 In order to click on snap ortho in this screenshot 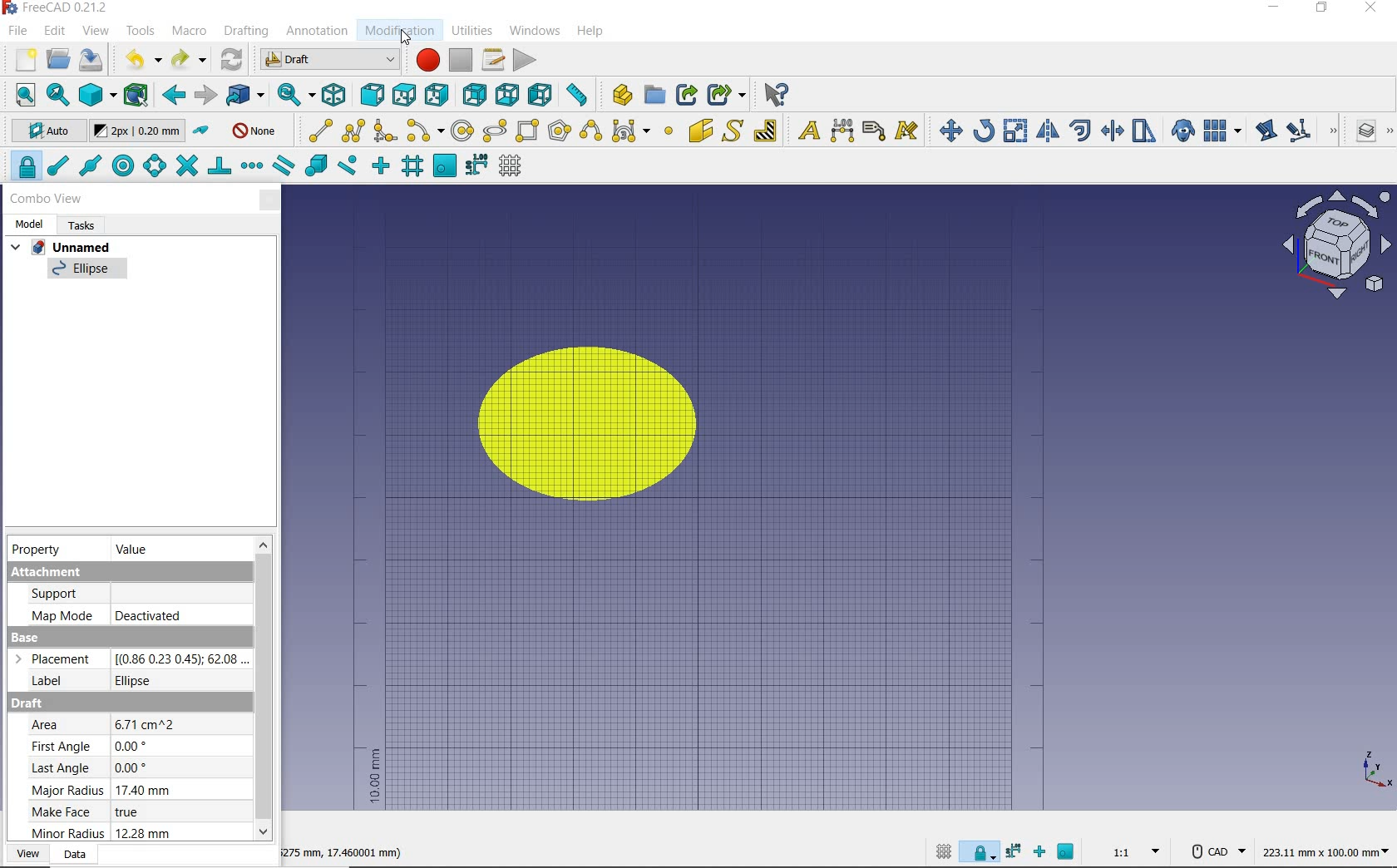, I will do `click(382, 166)`.